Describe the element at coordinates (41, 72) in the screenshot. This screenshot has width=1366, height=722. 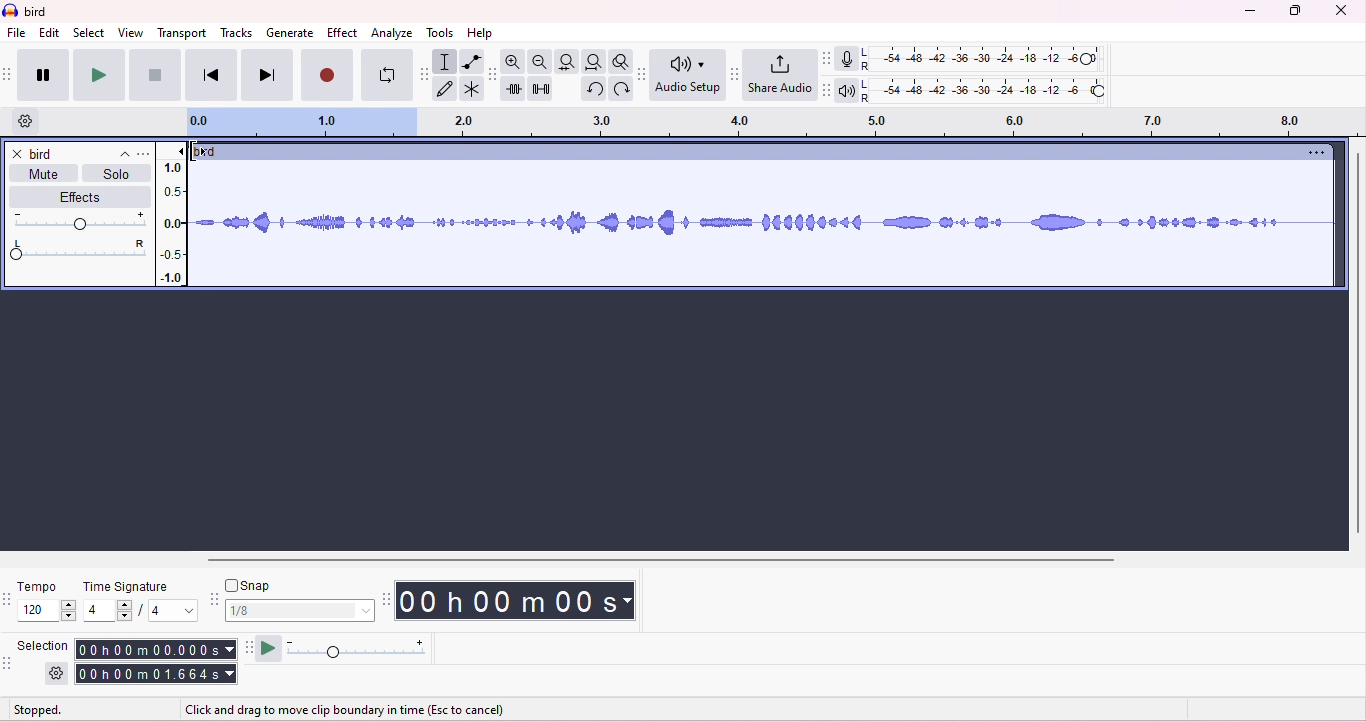
I see `pause` at that location.